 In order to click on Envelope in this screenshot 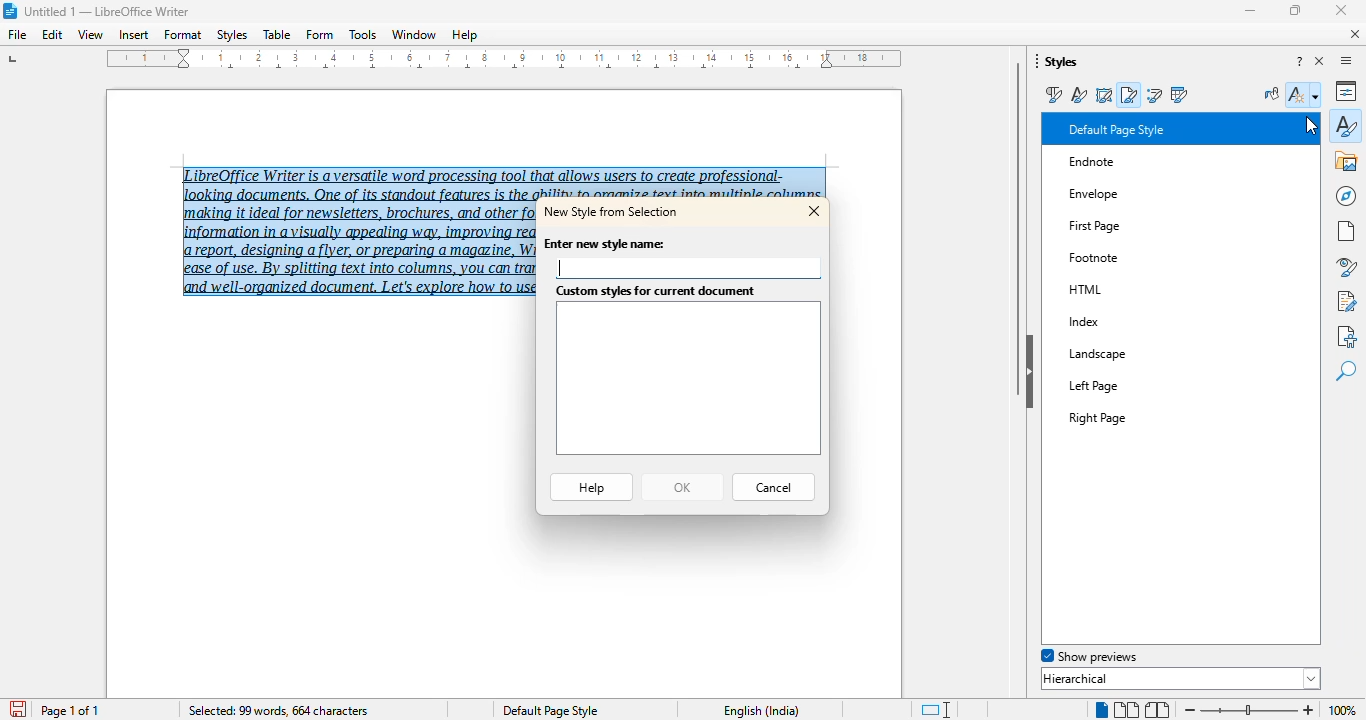, I will do `click(1136, 190)`.